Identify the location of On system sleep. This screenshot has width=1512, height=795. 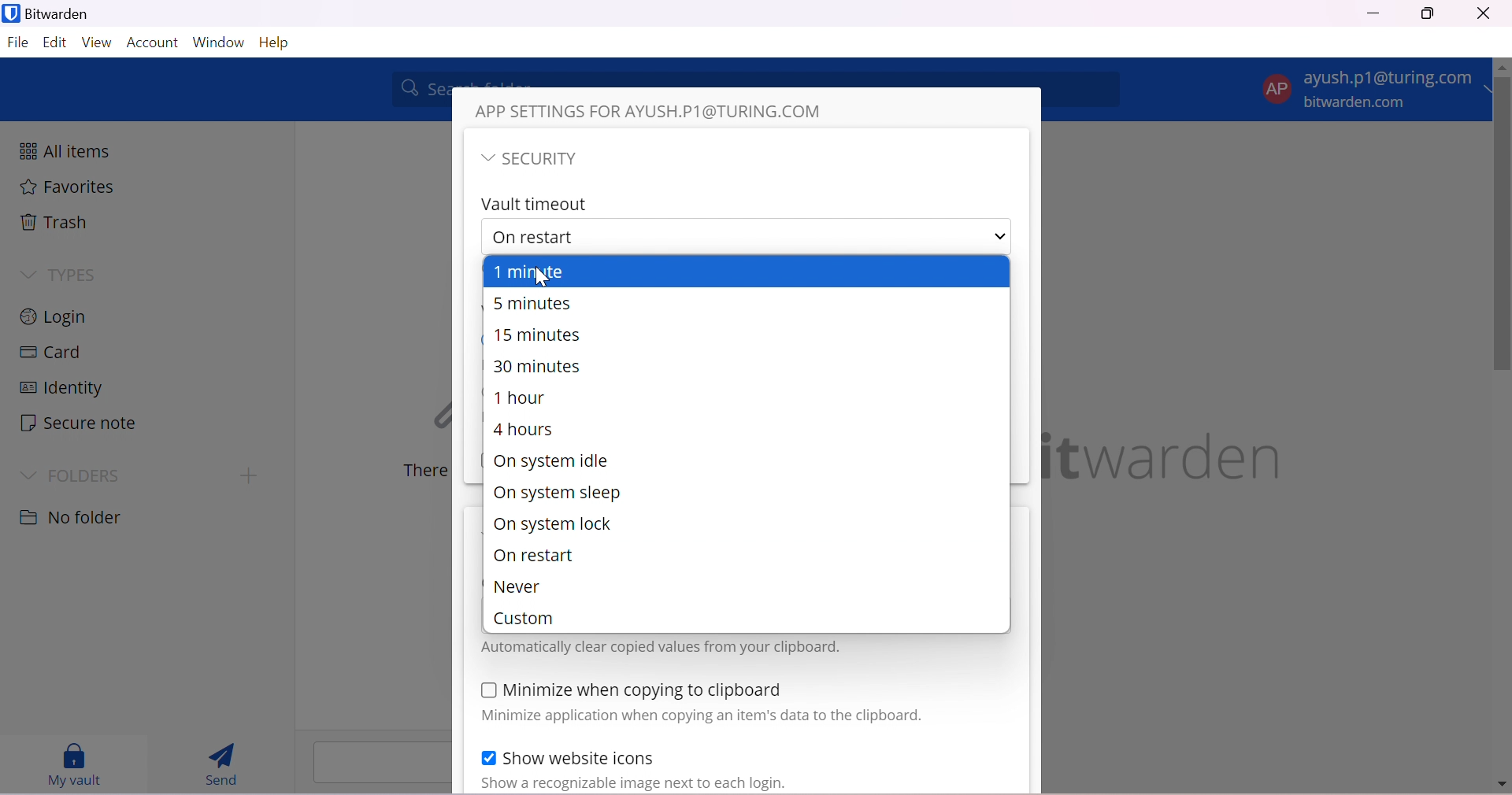
(555, 494).